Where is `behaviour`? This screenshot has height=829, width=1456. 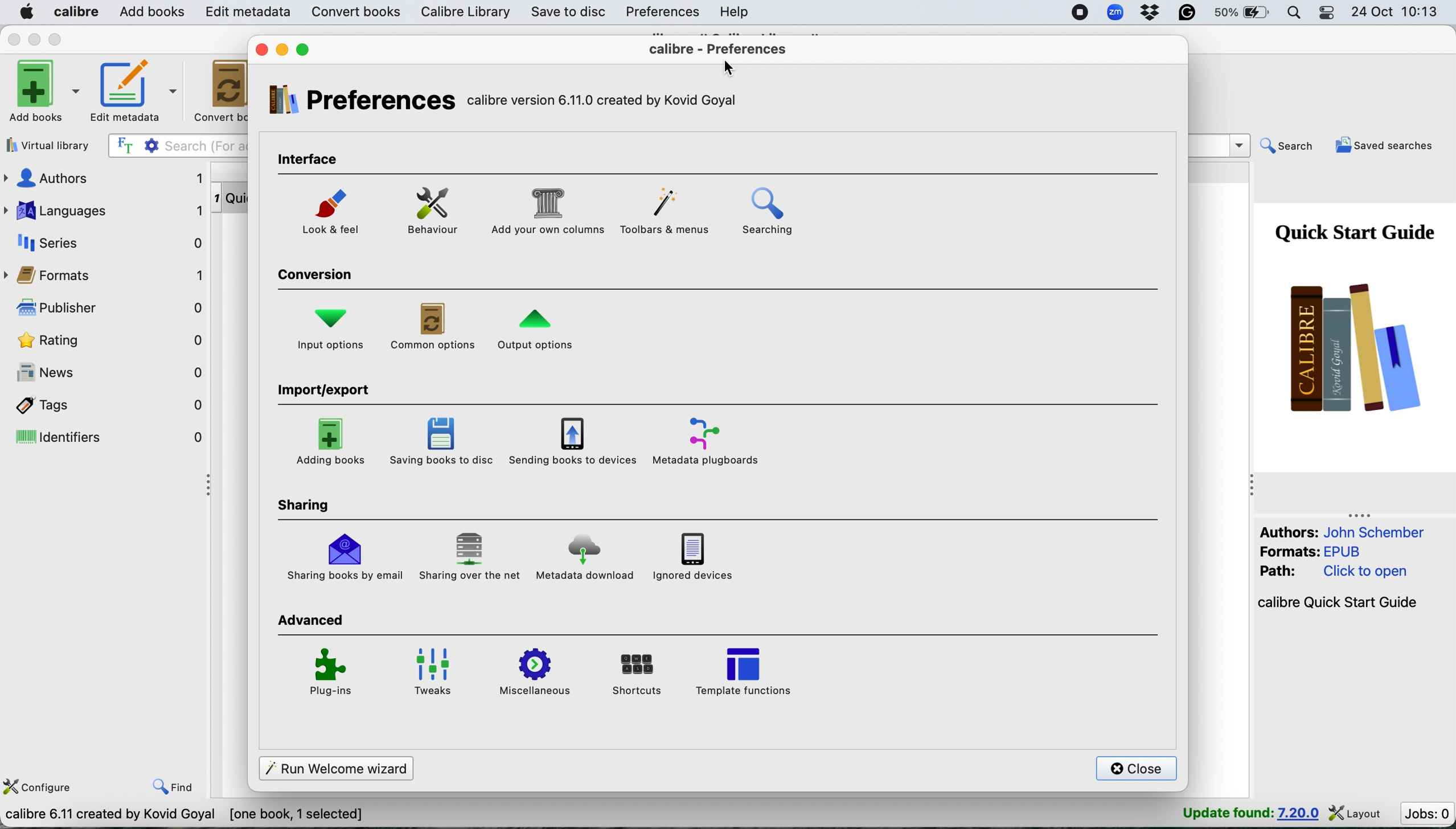
behaviour is located at coordinates (431, 211).